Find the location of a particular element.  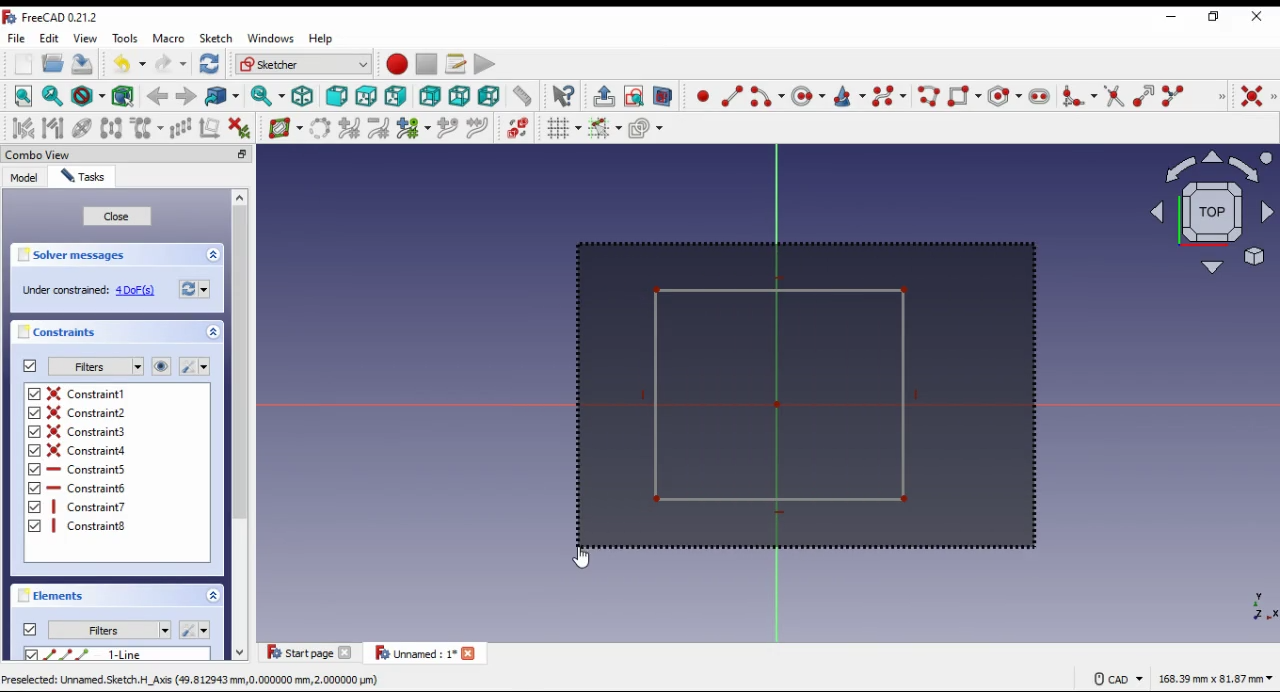

delete all constraints is located at coordinates (239, 129).